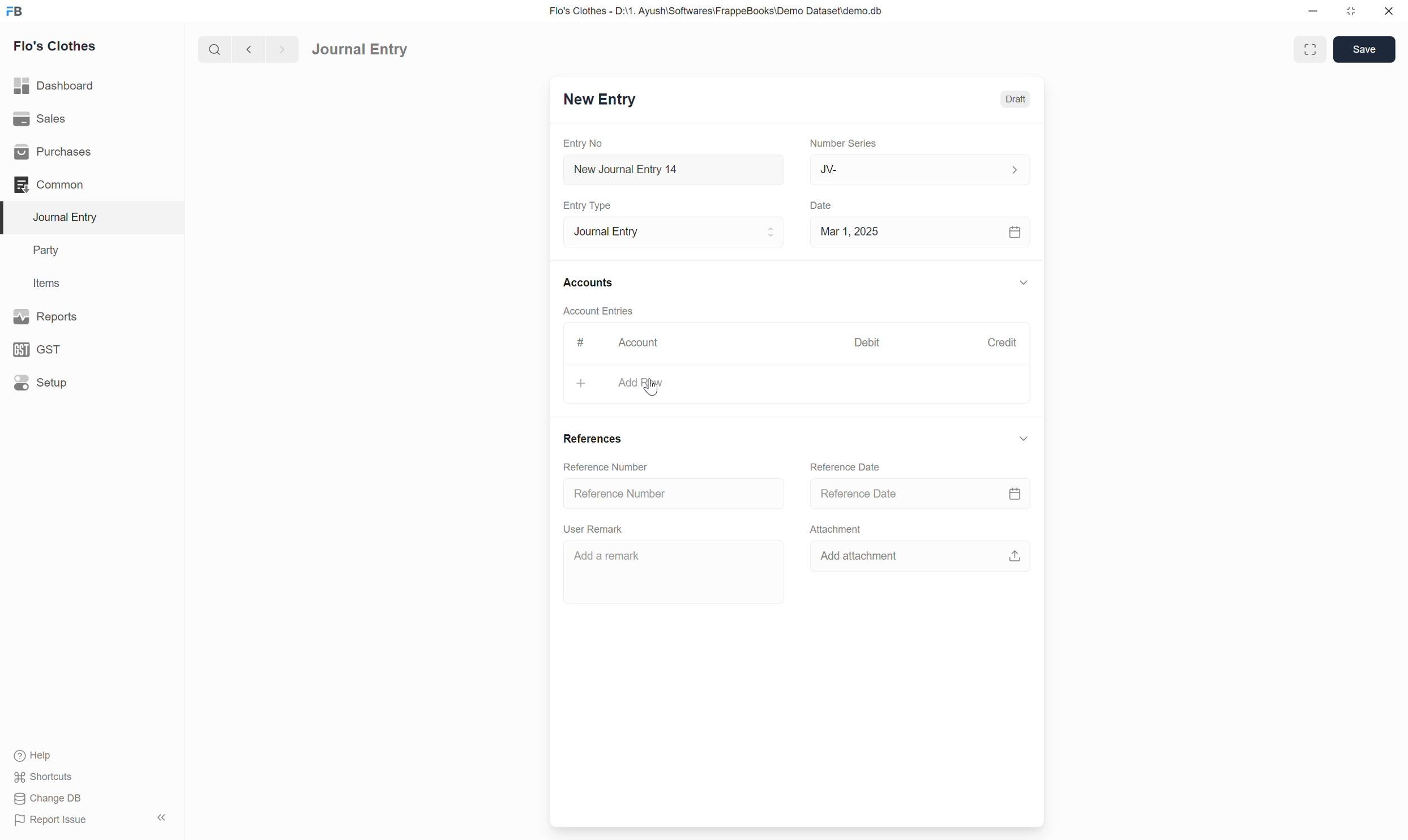 This screenshot has width=1408, height=840. Describe the element at coordinates (596, 529) in the screenshot. I see `User Remark` at that location.